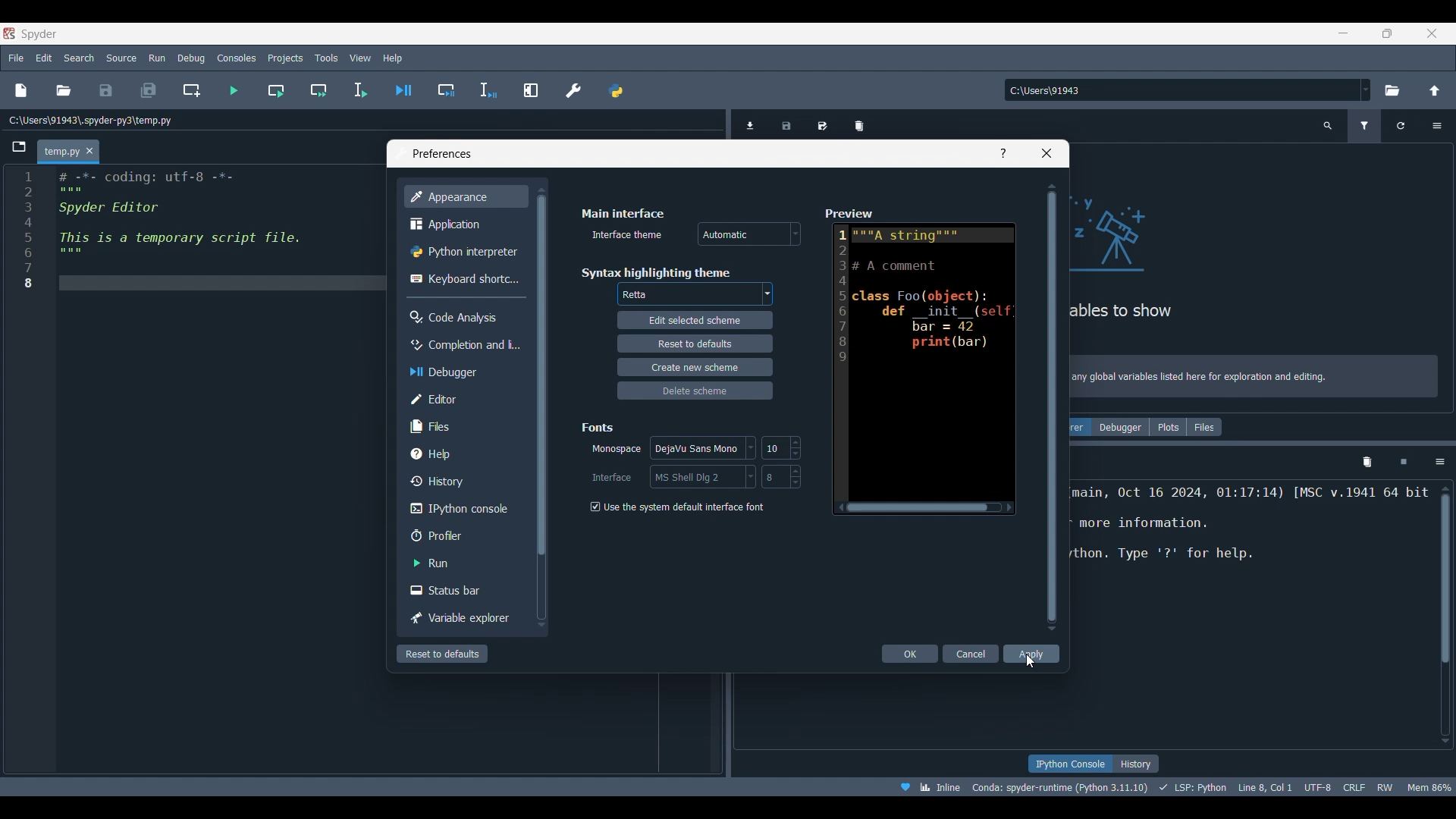  I want to click on crlf, so click(1354, 786).